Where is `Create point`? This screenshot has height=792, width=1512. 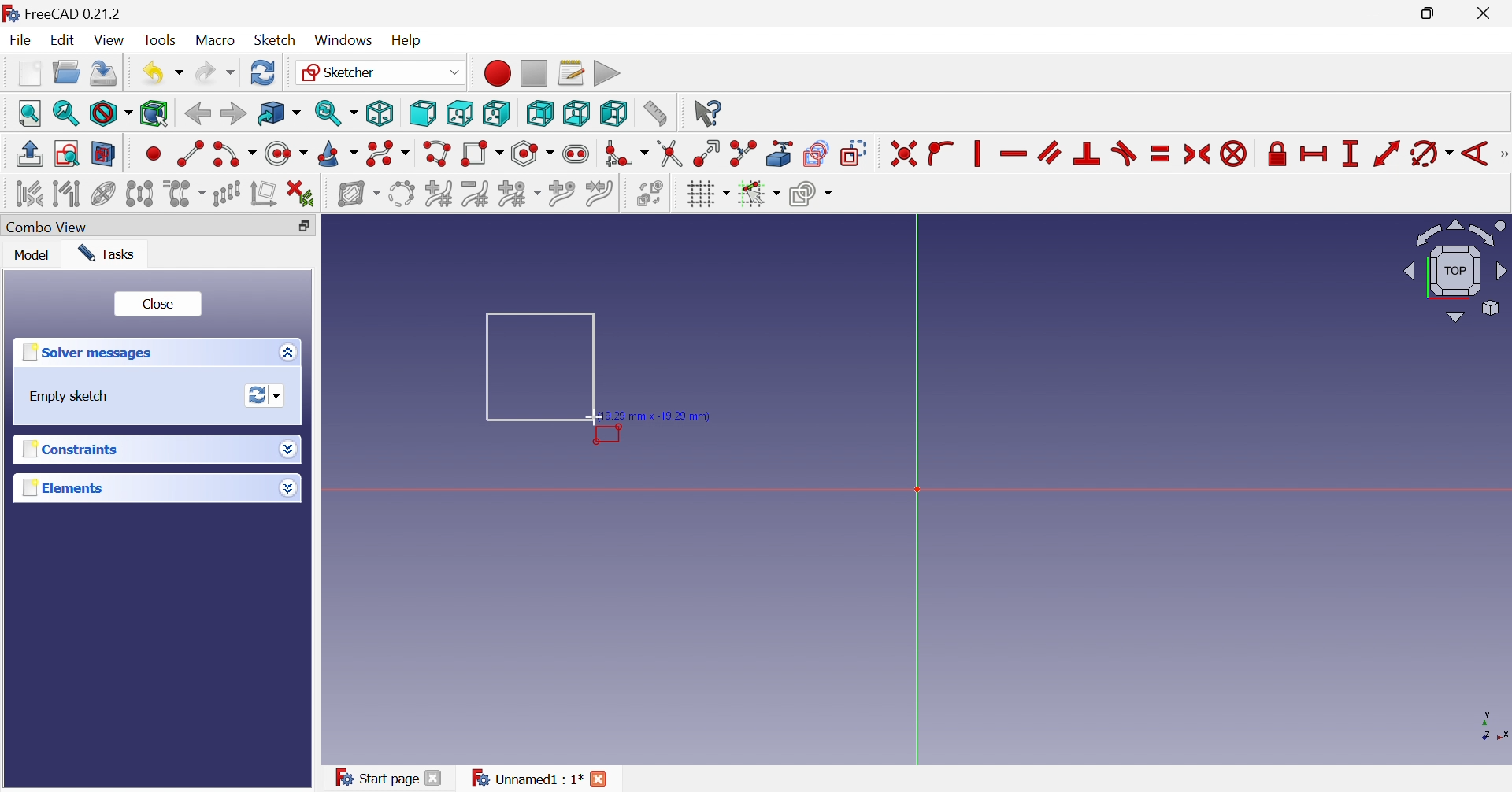 Create point is located at coordinates (154, 153).